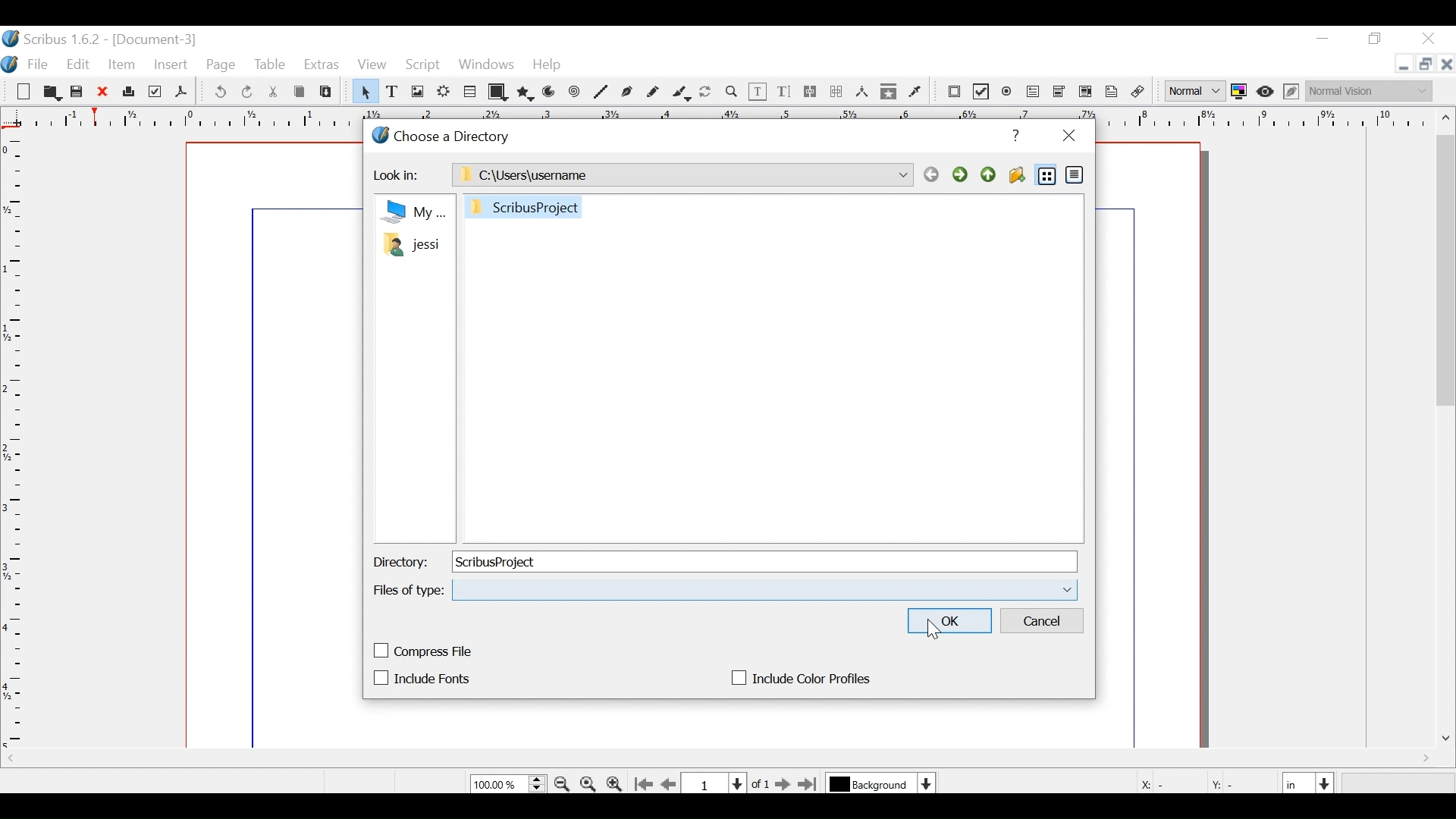 The height and width of the screenshot is (819, 1456). Describe the element at coordinates (889, 93) in the screenshot. I see `Copy items in Editor` at that location.